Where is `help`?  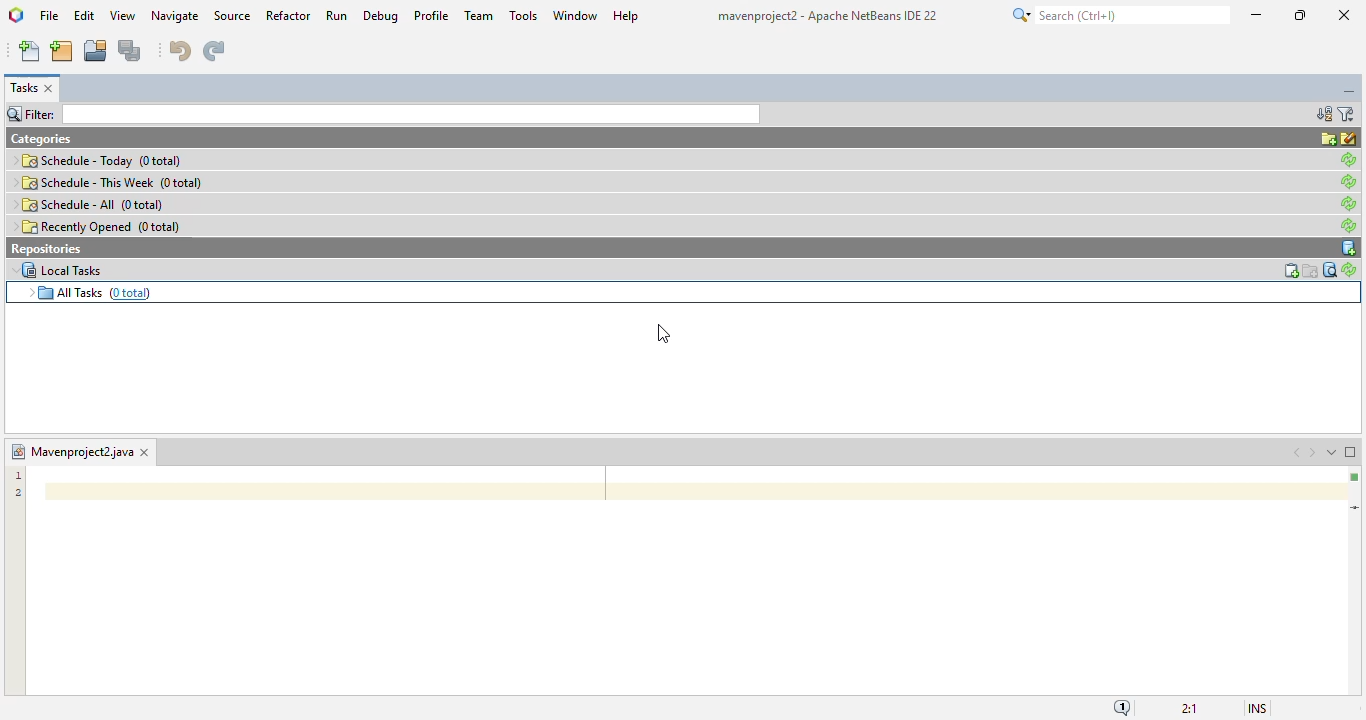 help is located at coordinates (626, 16).